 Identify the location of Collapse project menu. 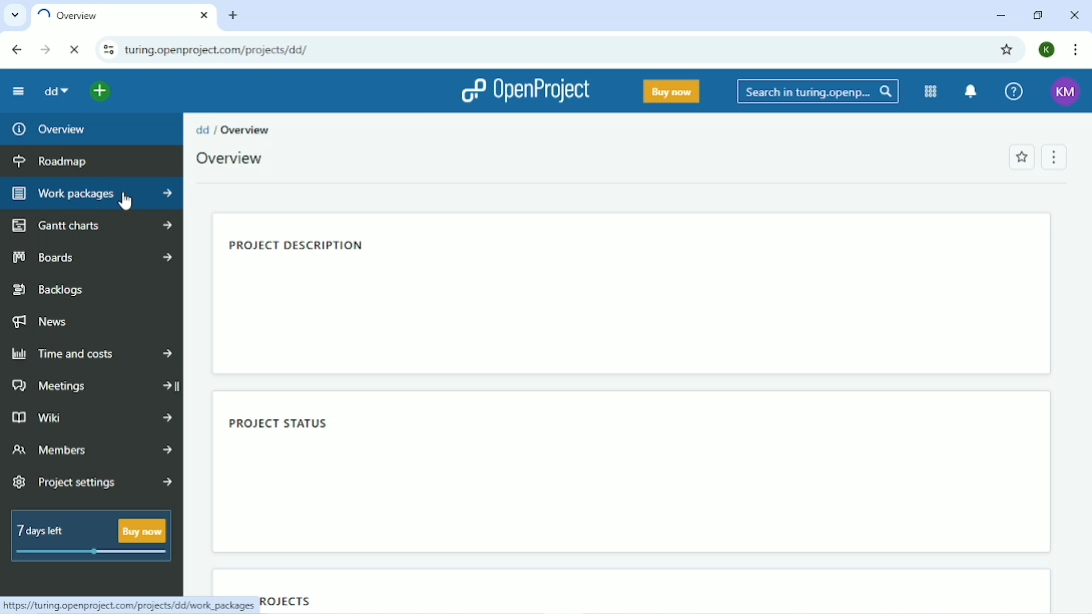
(18, 92).